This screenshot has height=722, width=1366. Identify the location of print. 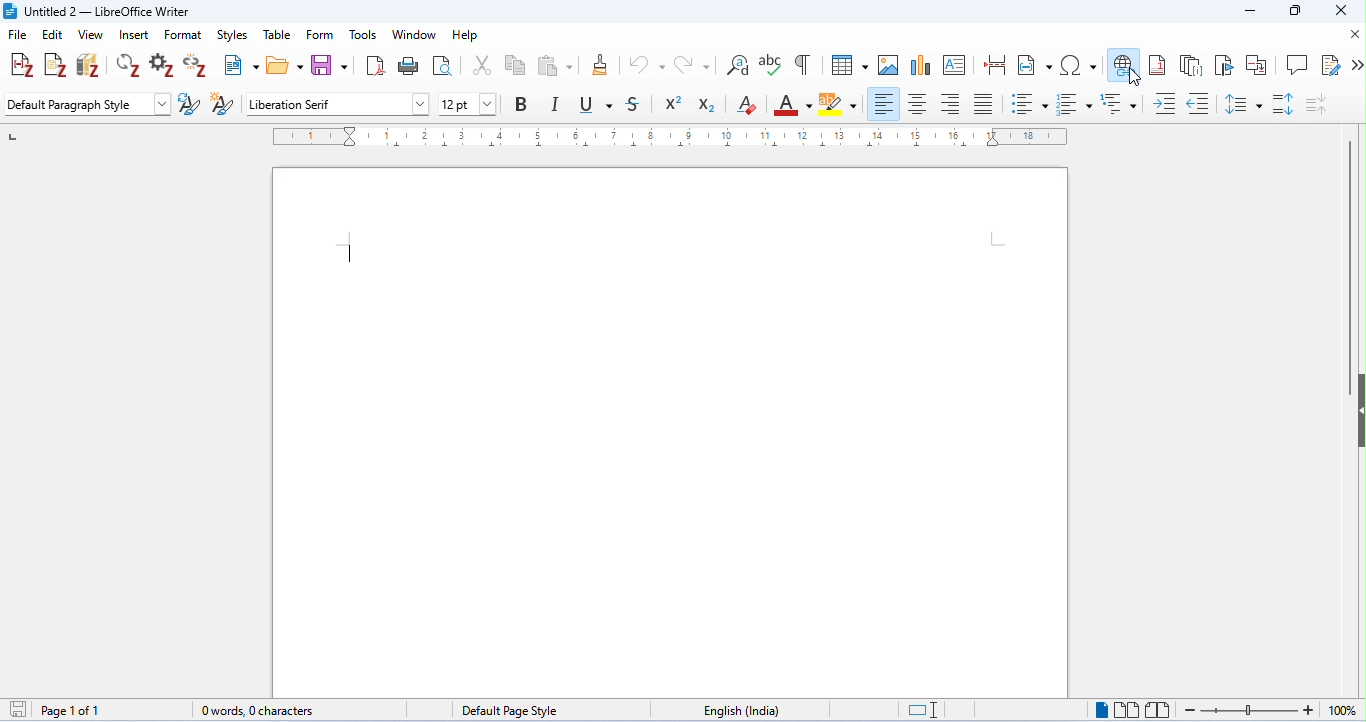
(406, 66).